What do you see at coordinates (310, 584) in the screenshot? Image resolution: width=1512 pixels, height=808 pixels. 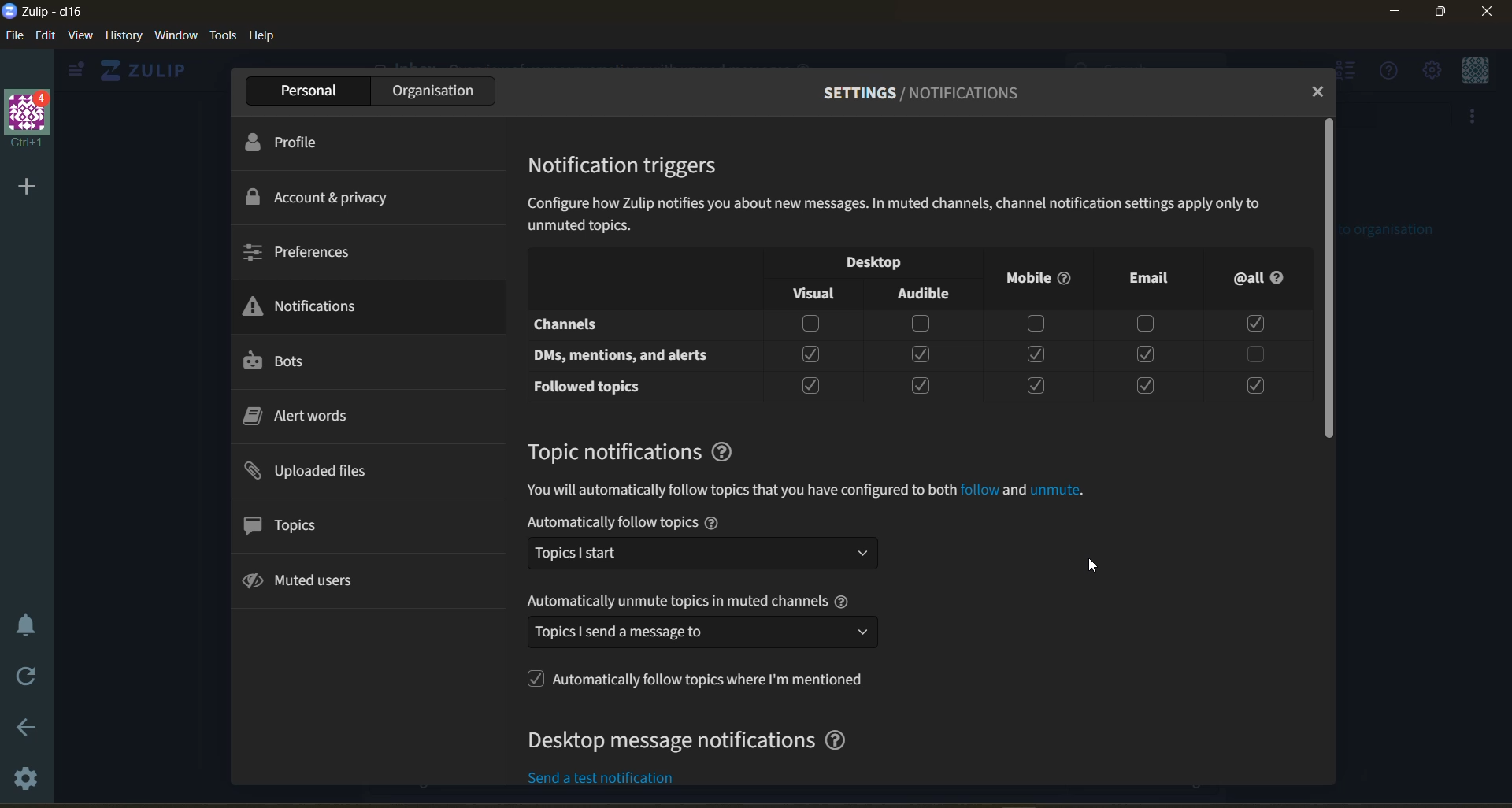 I see `muted users` at bounding box center [310, 584].